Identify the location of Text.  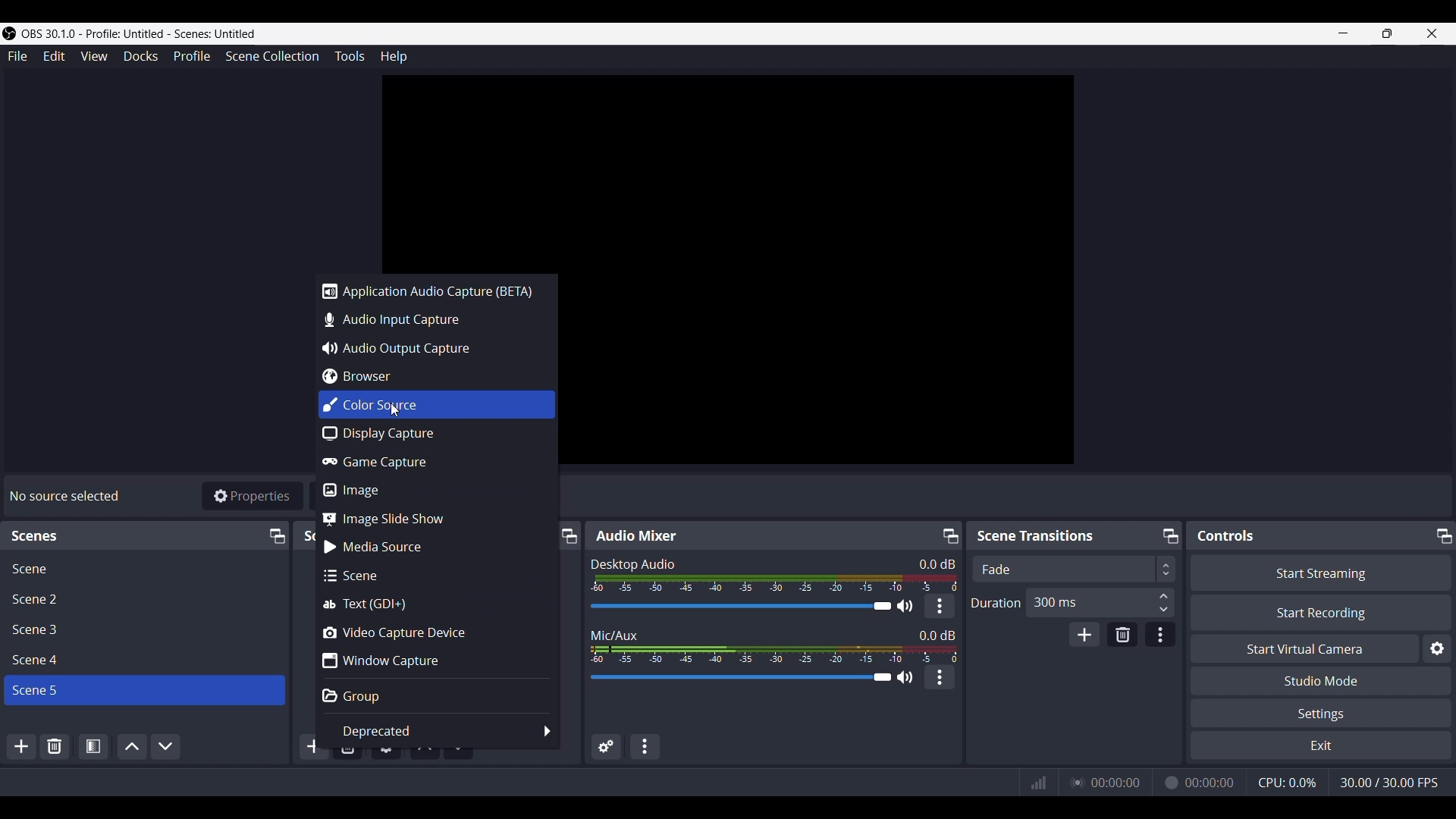
(1225, 535).